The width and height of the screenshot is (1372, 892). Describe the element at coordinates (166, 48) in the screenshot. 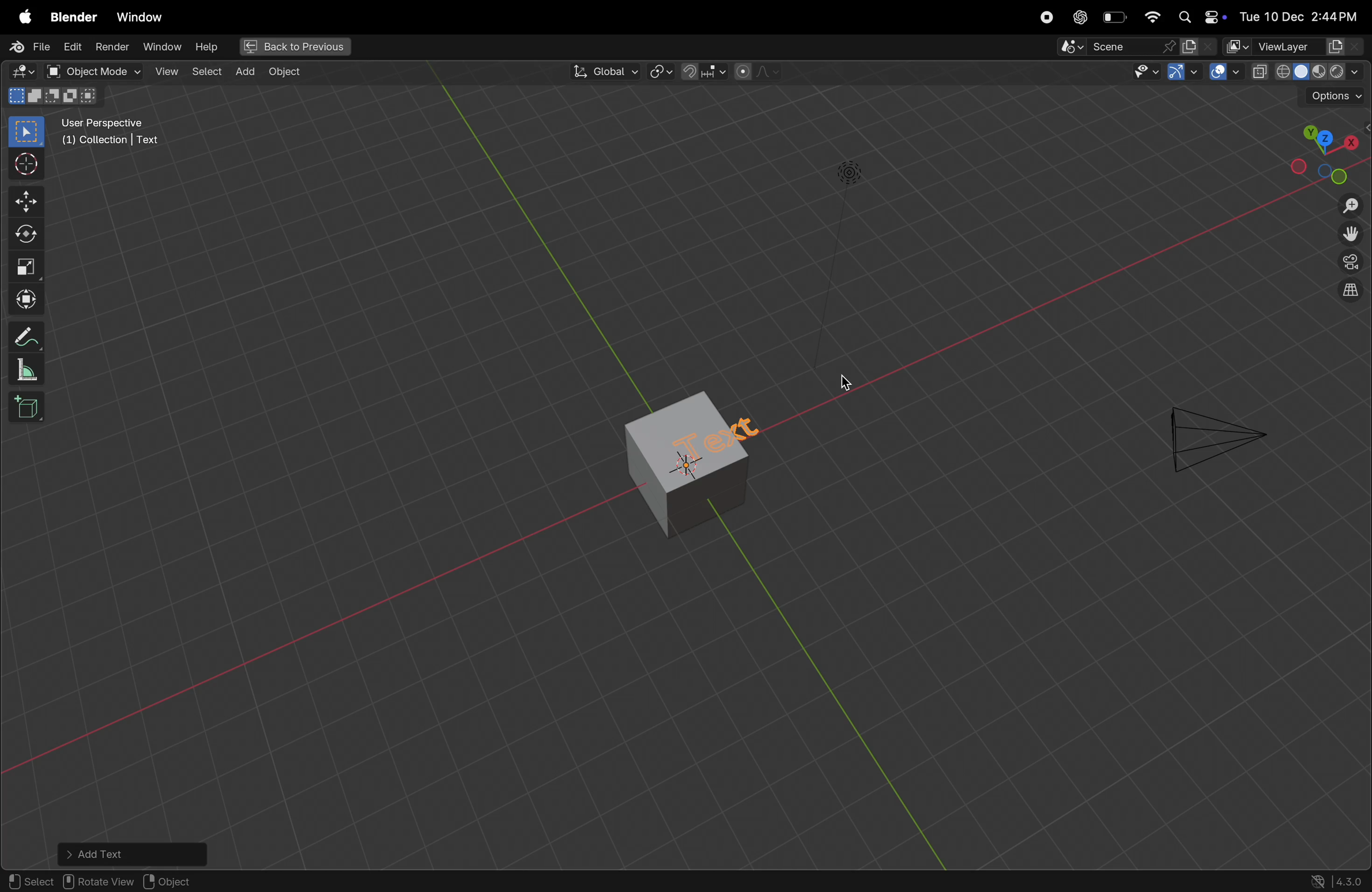

I see `Window` at that location.